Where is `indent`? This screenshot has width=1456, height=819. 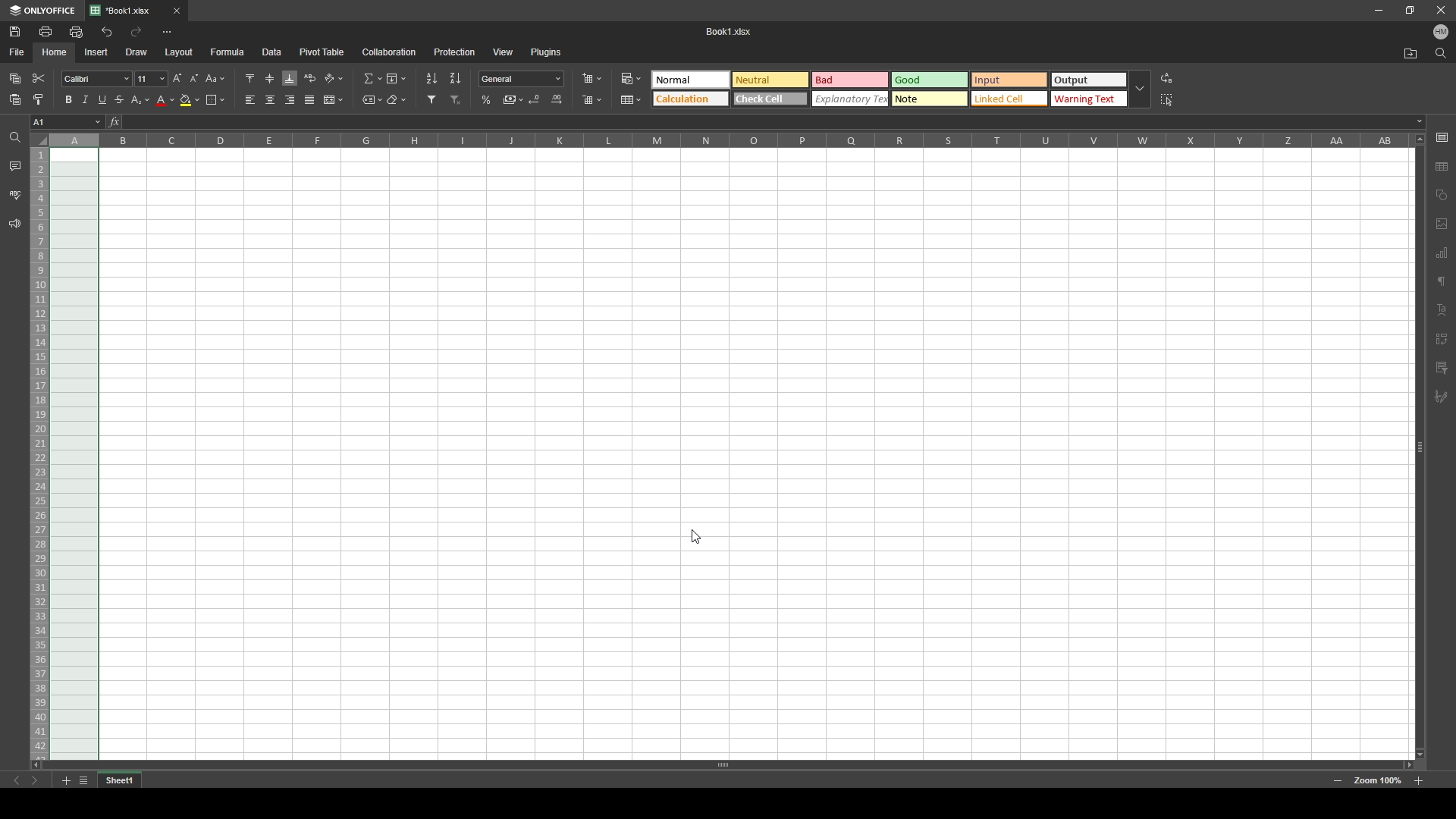 indent is located at coordinates (1442, 335).